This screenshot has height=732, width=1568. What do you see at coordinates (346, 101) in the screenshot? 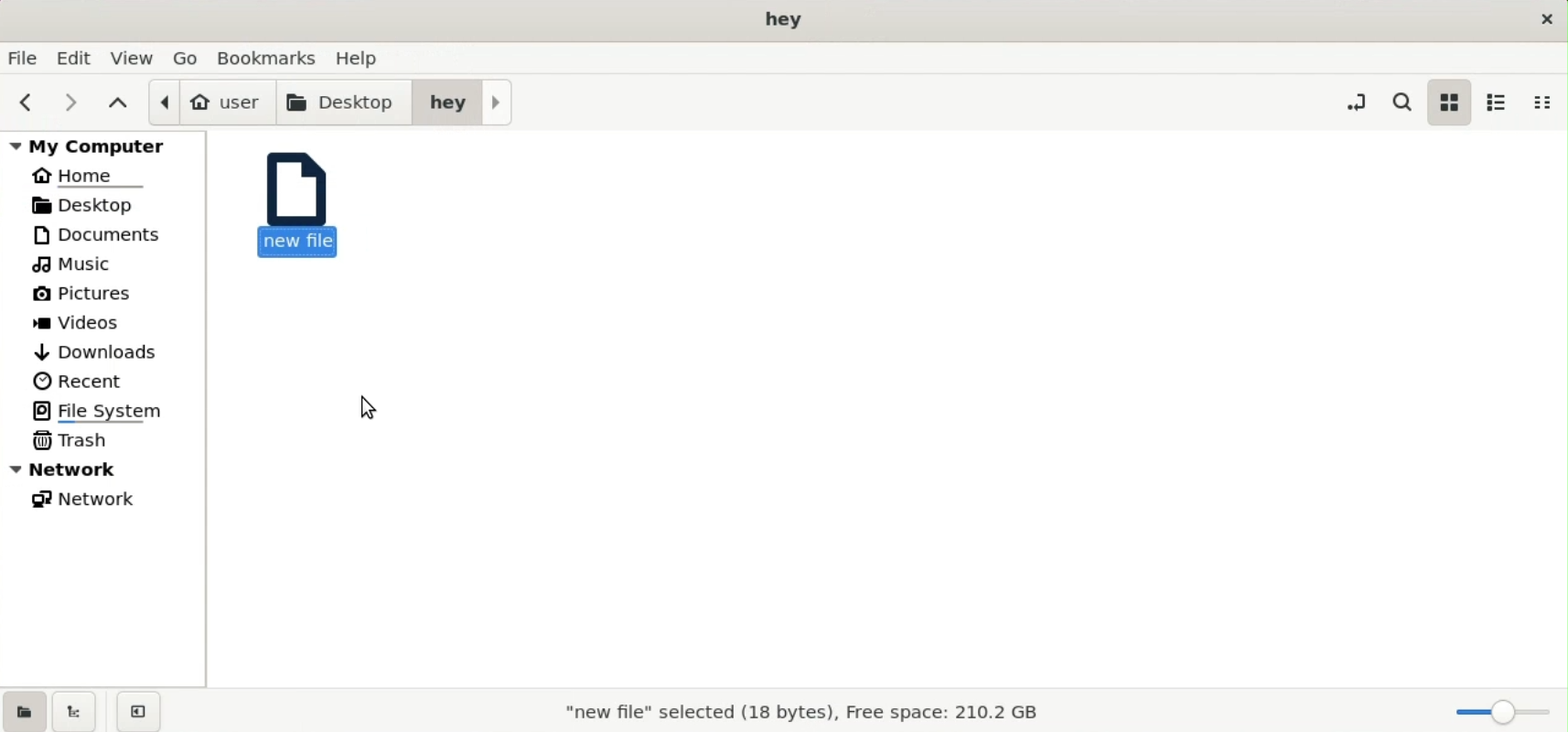
I see `desktop` at bounding box center [346, 101].